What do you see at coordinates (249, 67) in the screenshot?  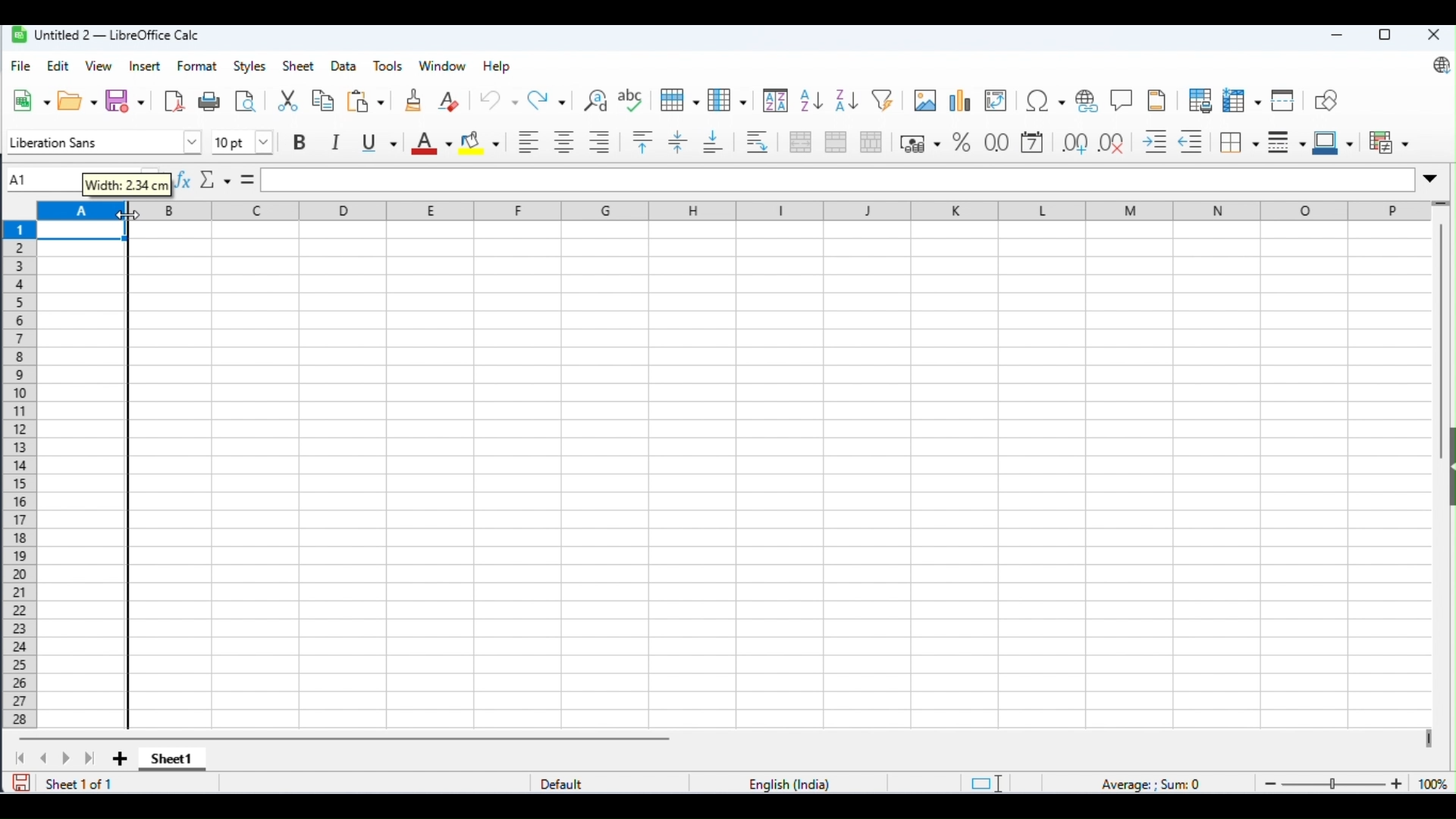 I see `styles` at bounding box center [249, 67].